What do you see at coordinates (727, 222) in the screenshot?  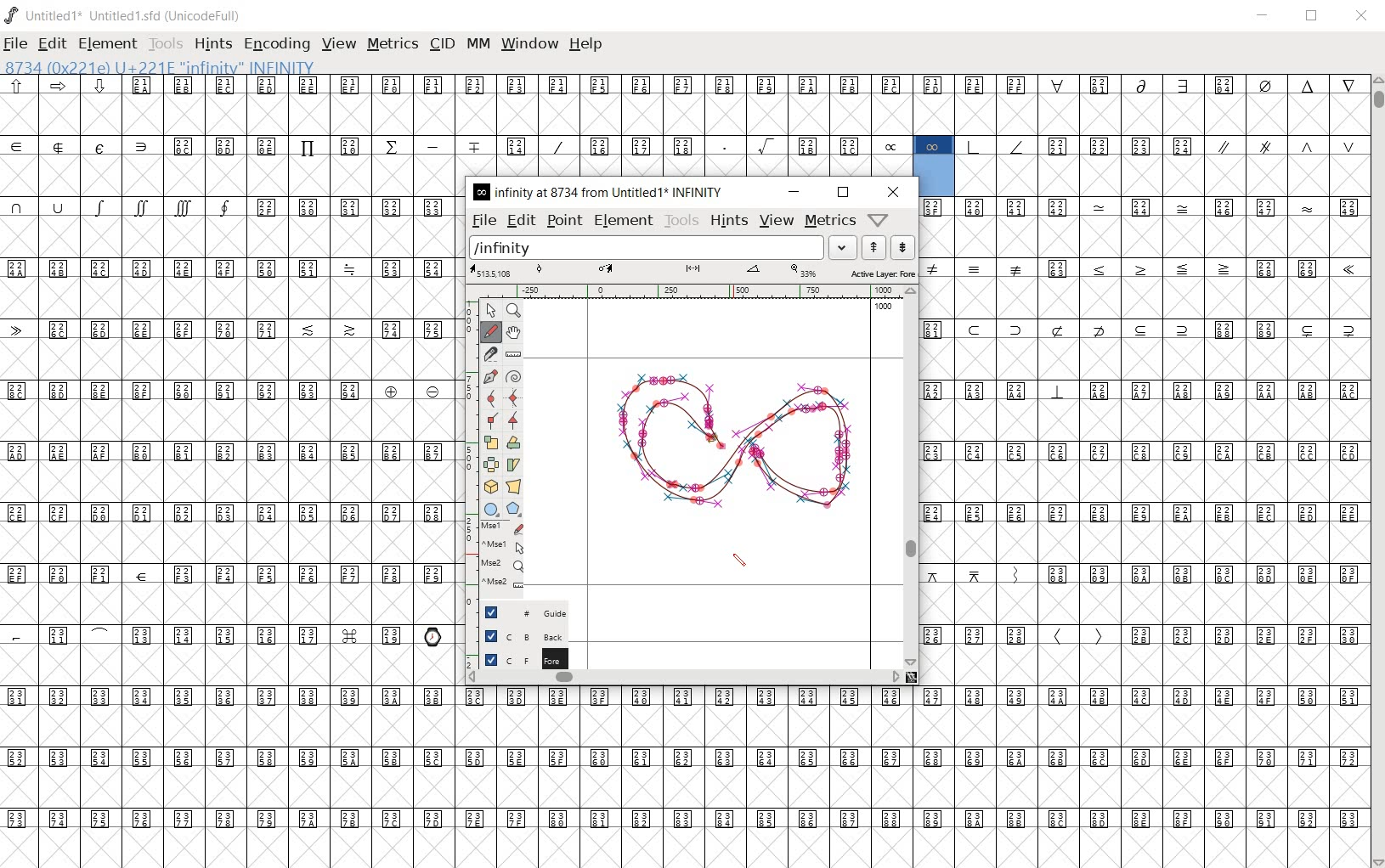 I see `hints` at bounding box center [727, 222].